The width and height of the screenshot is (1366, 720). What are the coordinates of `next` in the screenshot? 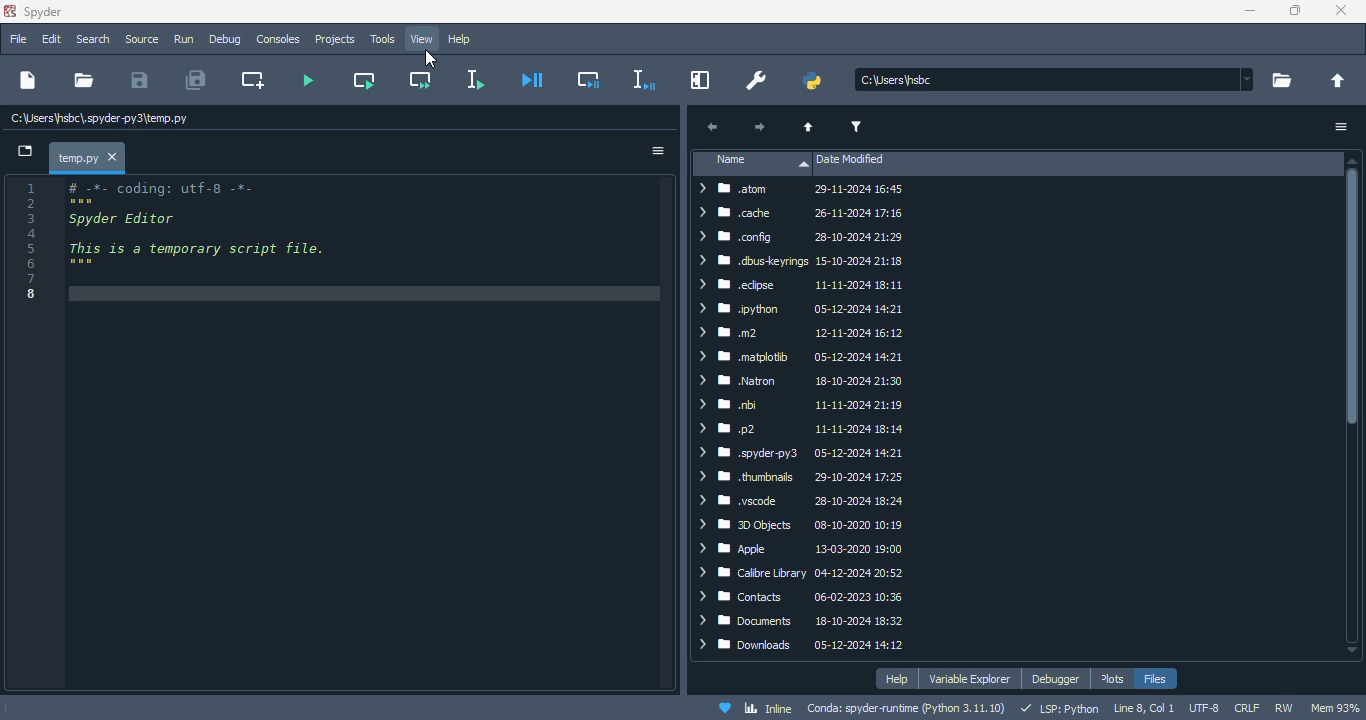 It's located at (757, 127).